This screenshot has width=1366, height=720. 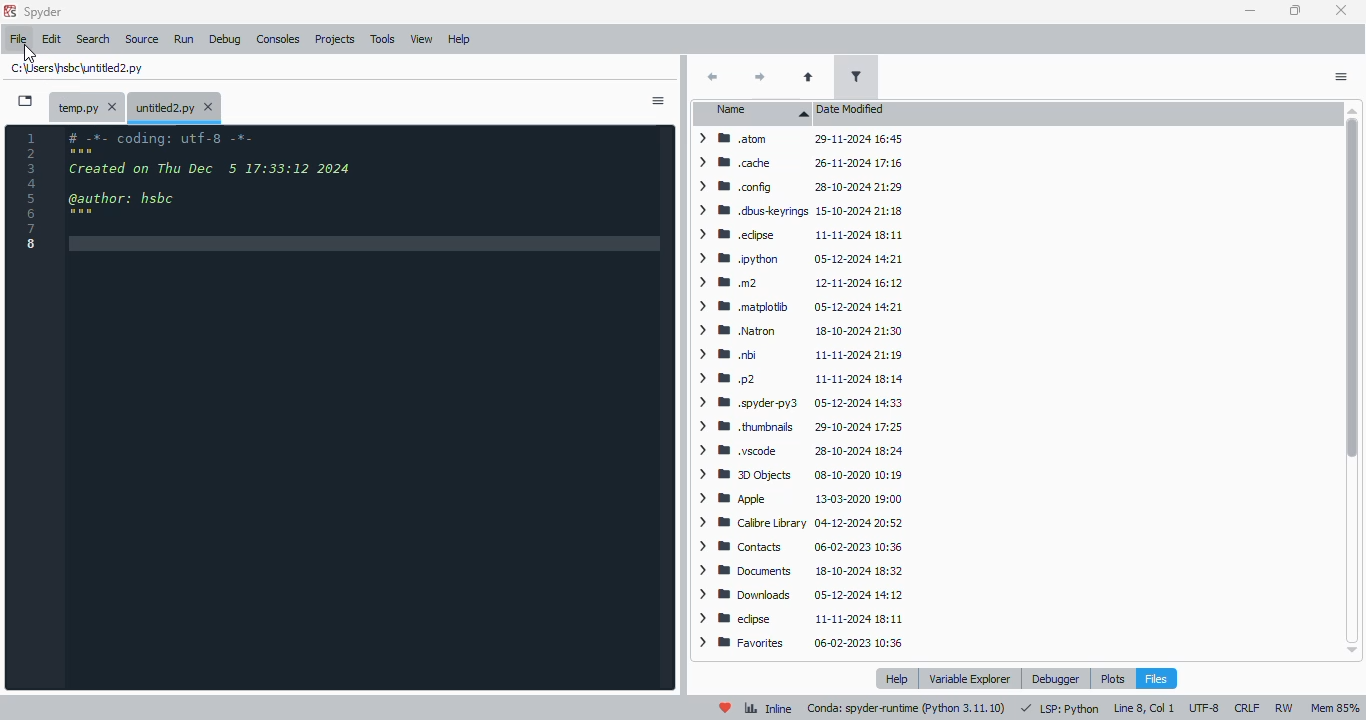 I want to click on name, so click(x=751, y=111).